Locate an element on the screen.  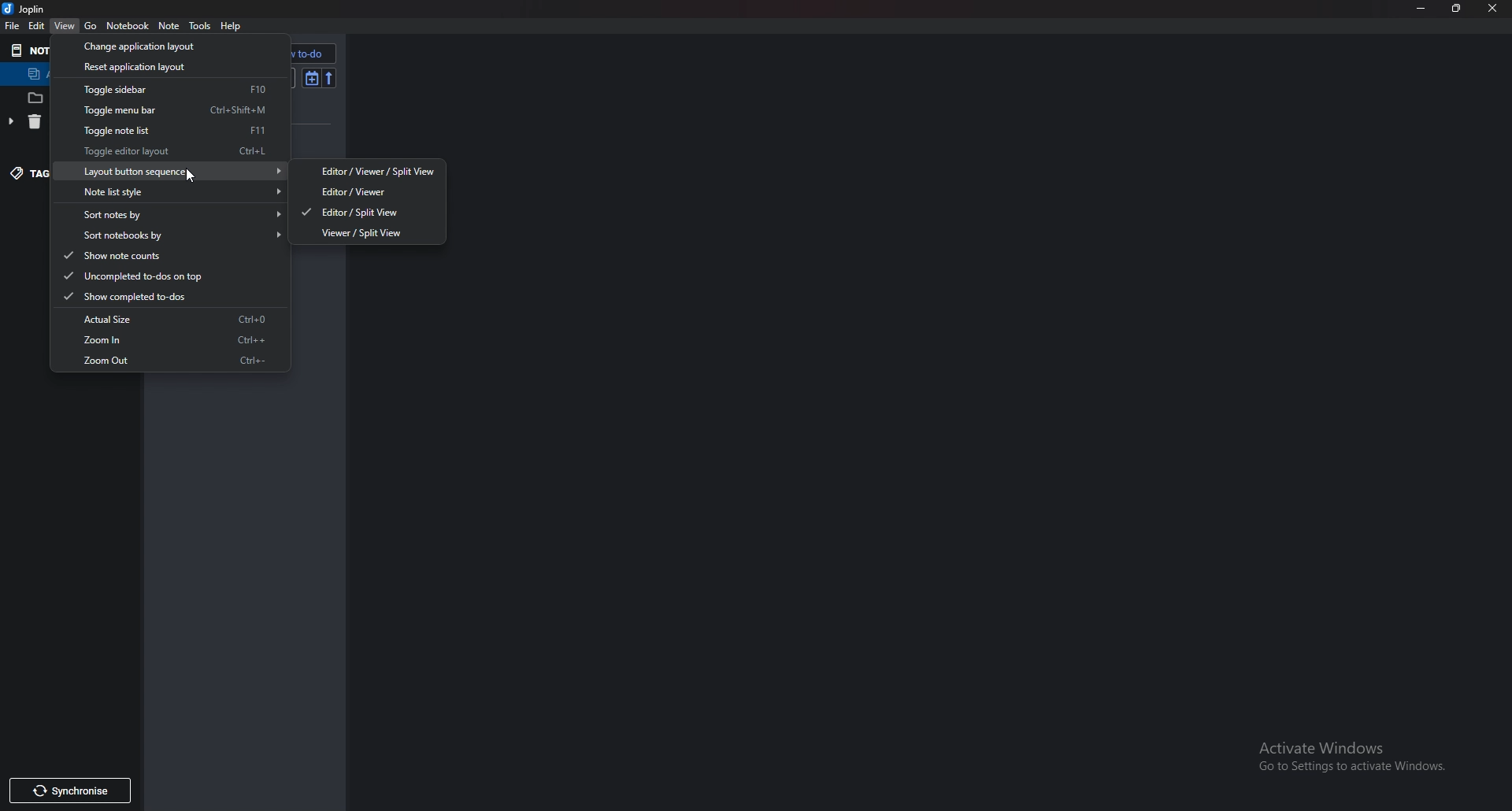
editor/ viewer /Splitview is located at coordinates (369, 171).